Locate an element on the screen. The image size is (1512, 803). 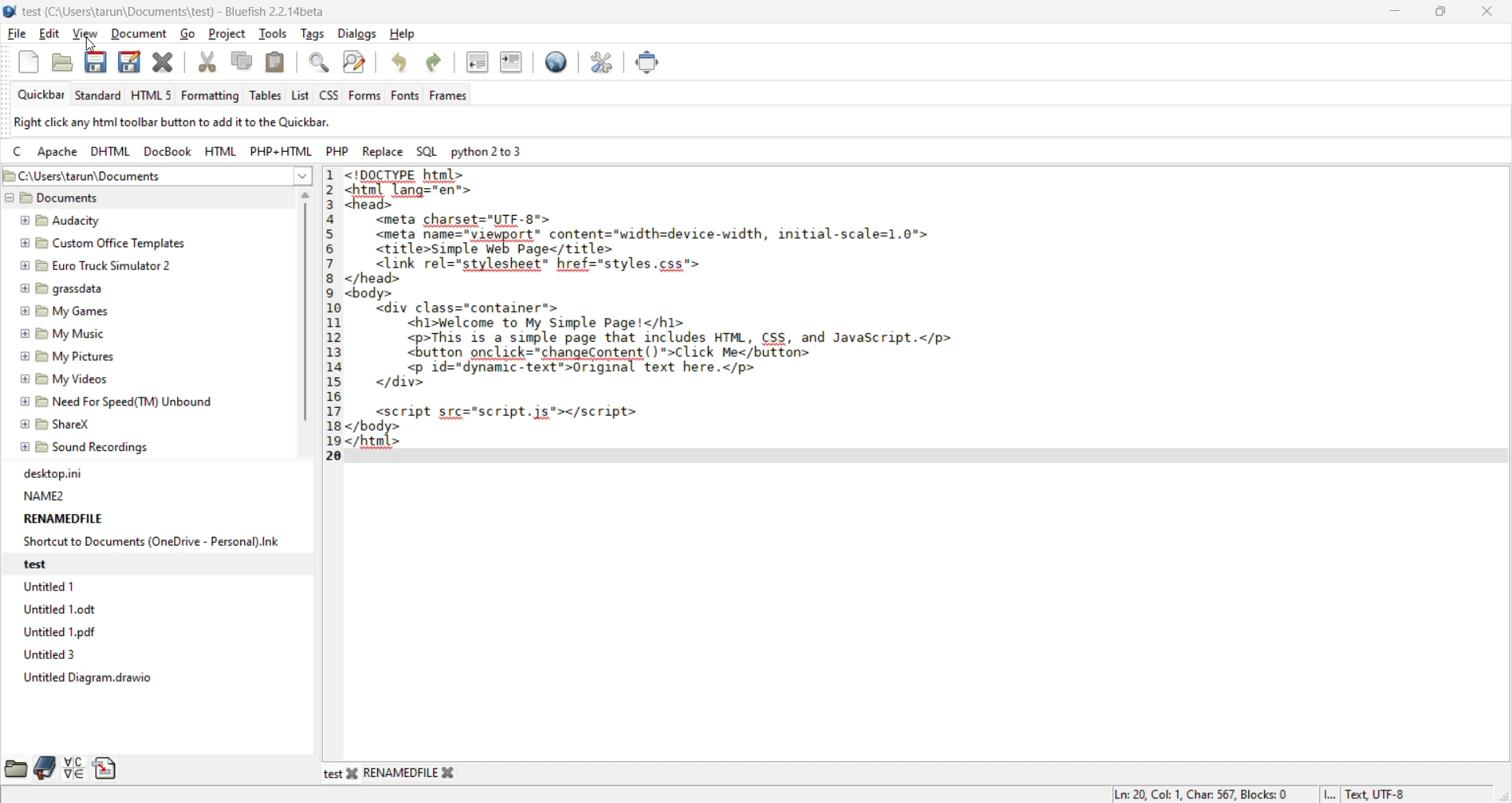
@ [9 ShareX is located at coordinates (60, 426).